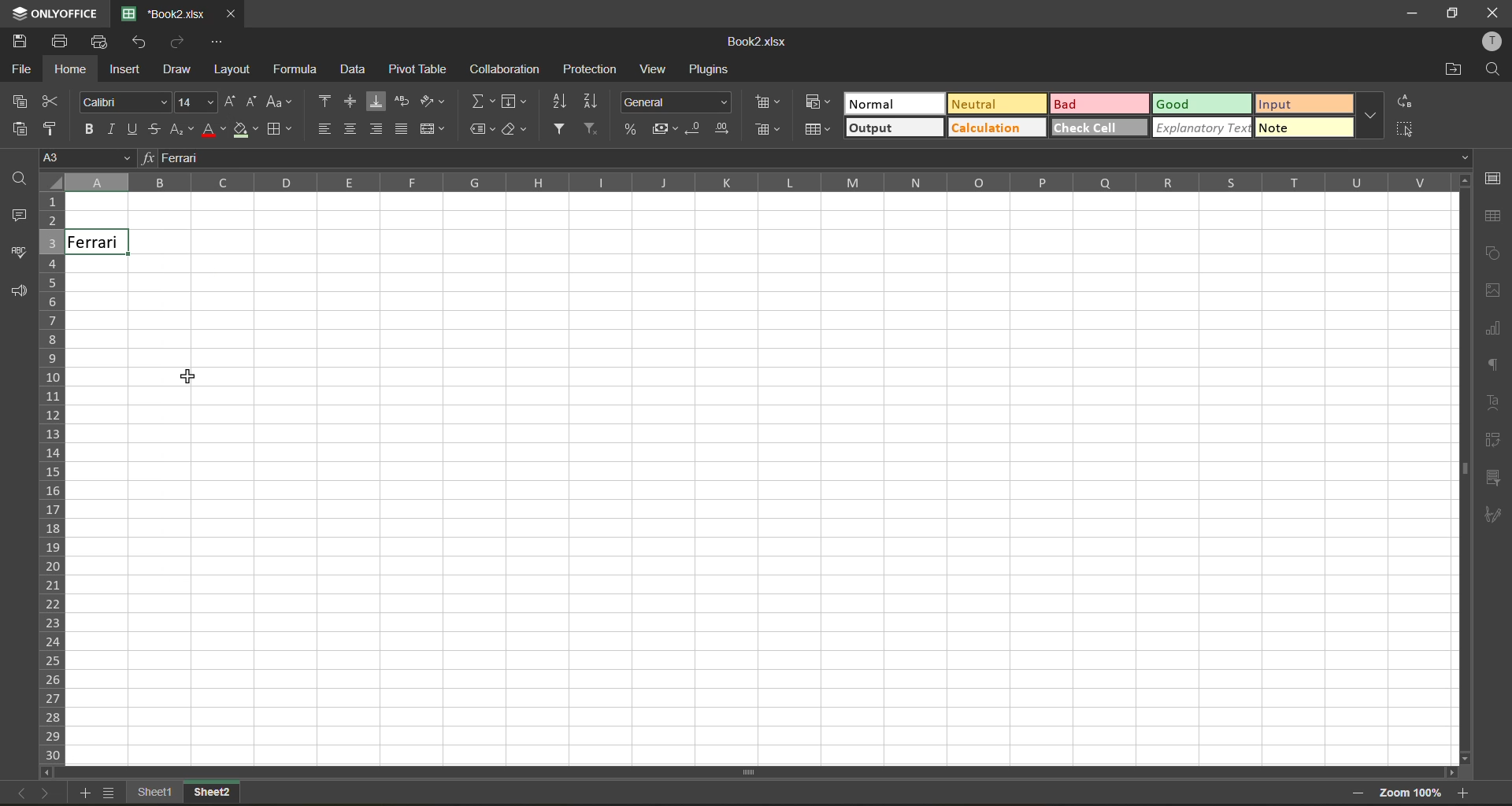  I want to click on comments, so click(21, 216).